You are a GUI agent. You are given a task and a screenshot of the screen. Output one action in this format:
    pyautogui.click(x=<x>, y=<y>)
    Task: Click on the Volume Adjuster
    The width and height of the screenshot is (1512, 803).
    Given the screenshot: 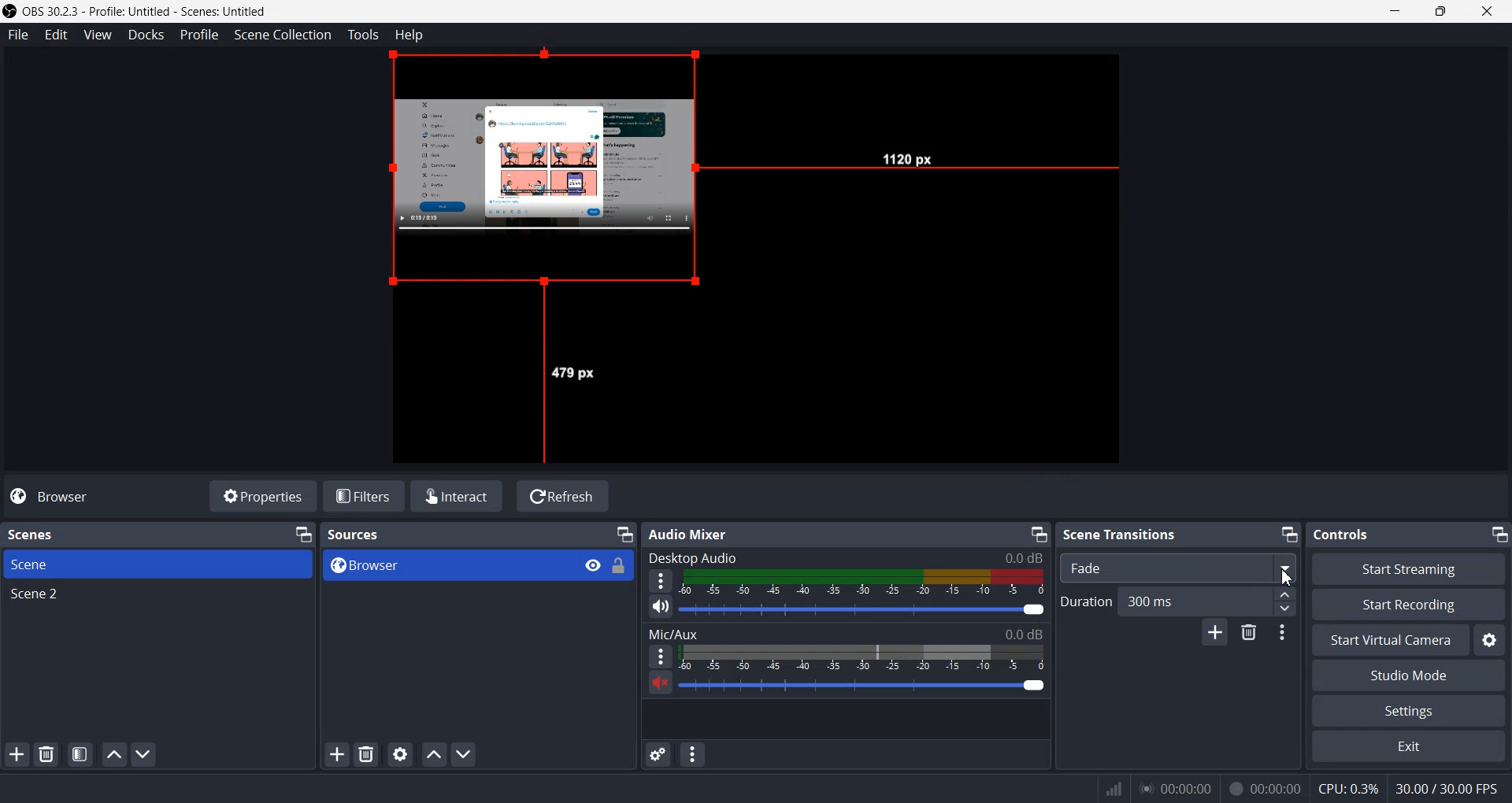 What is the action you would take?
    pyautogui.click(x=862, y=686)
    